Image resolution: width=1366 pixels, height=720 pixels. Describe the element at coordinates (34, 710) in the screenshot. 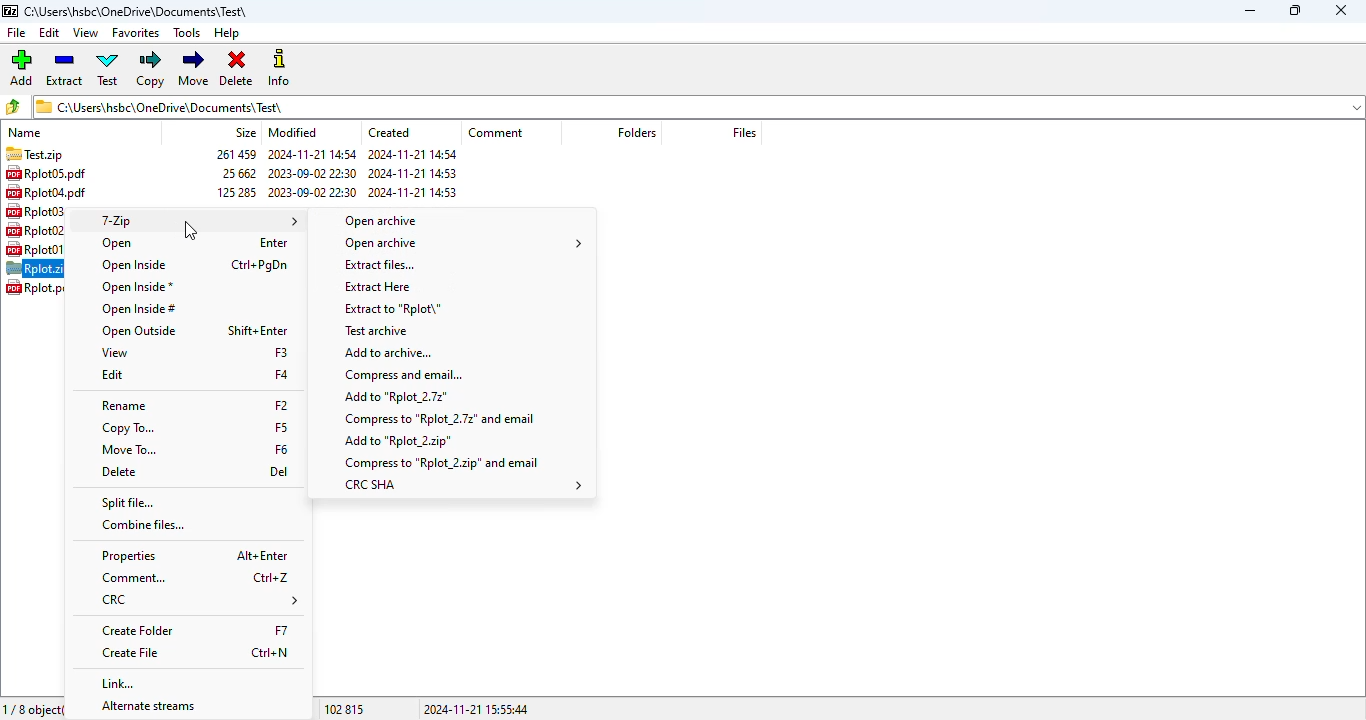

I see `1/8 object(s) selected` at that location.